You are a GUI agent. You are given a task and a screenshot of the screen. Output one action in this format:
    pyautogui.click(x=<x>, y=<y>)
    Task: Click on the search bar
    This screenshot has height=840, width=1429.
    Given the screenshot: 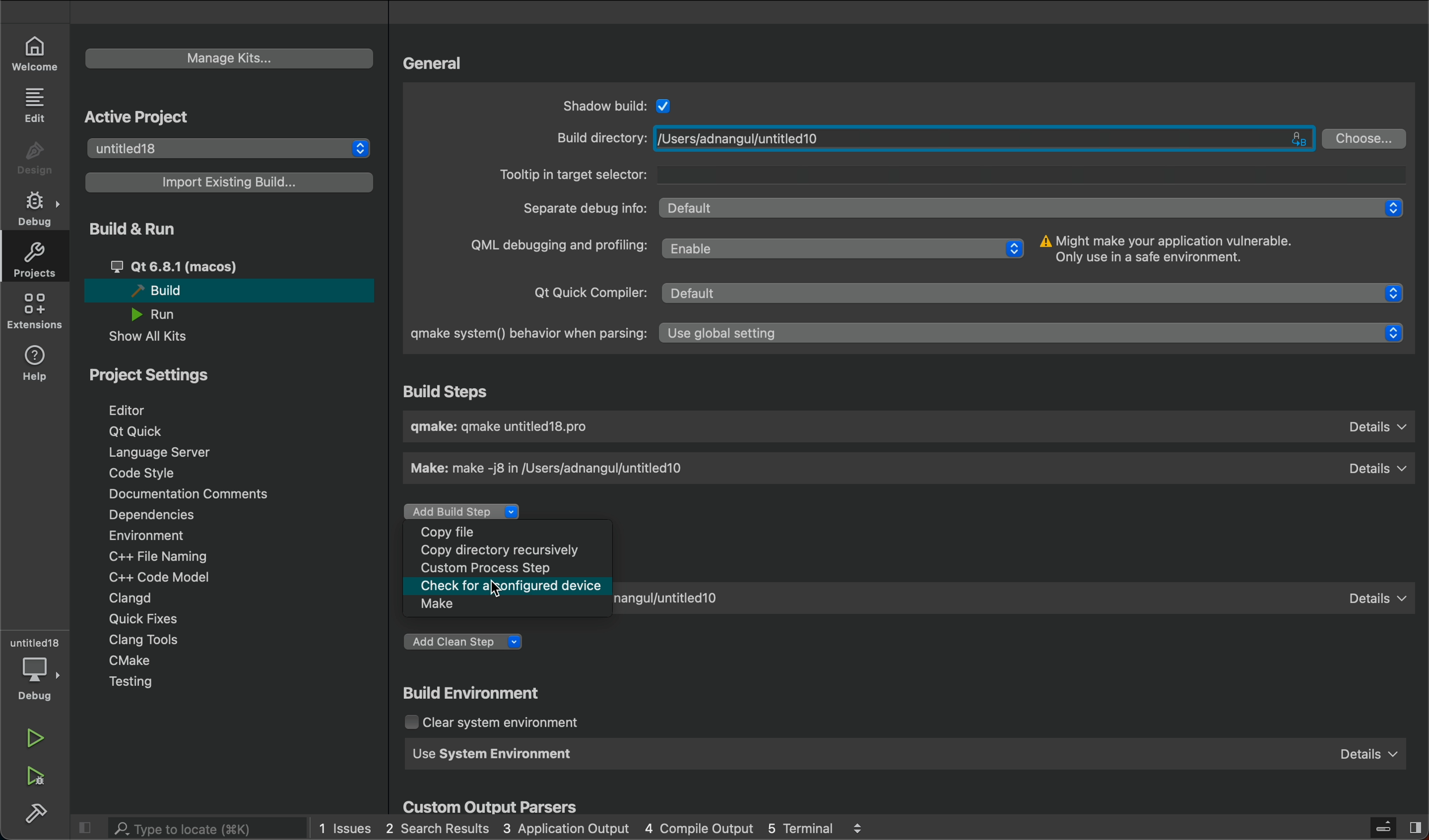 What is the action you would take?
    pyautogui.click(x=197, y=828)
    